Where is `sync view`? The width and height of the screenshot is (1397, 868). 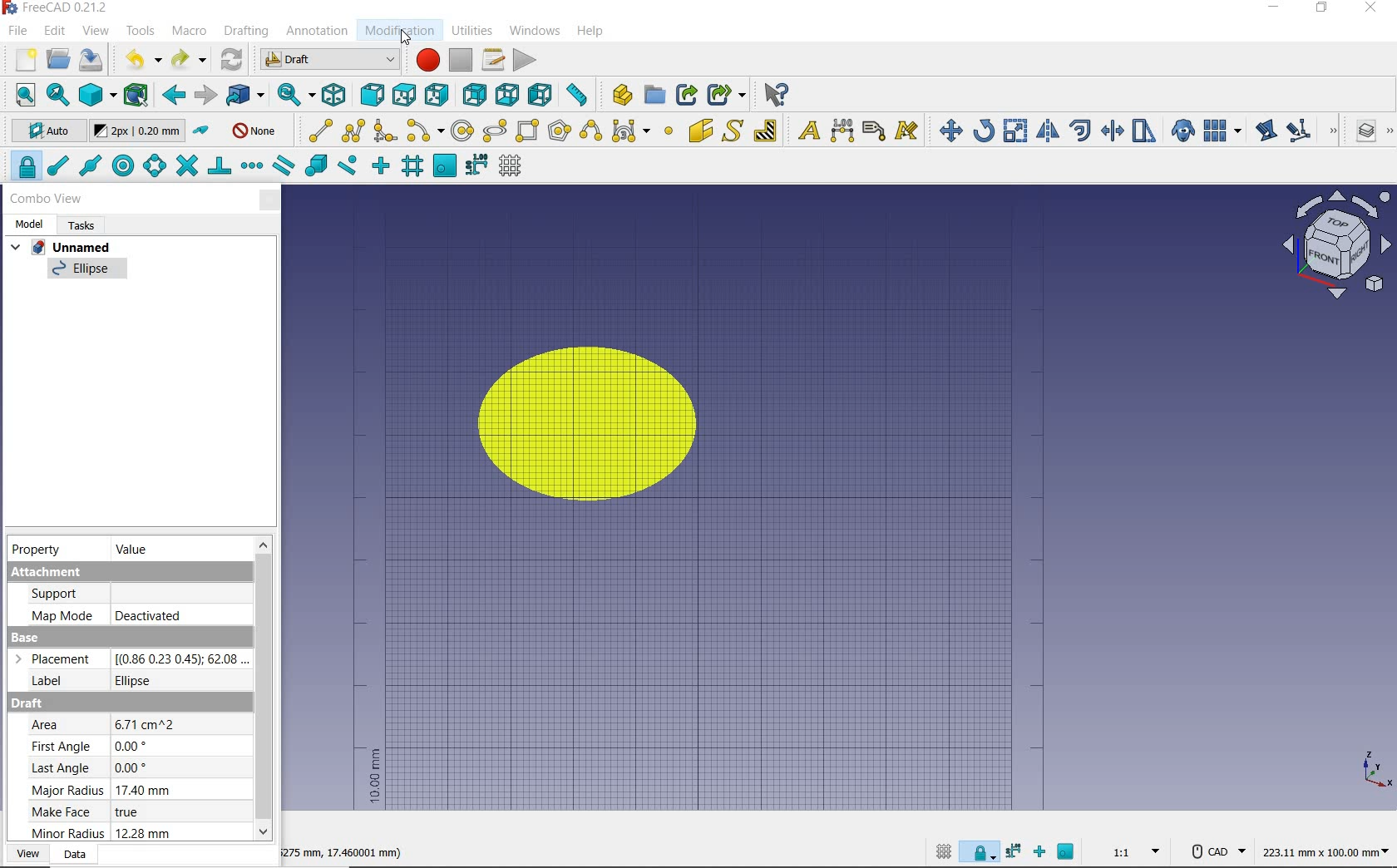
sync view is located at coordinates (294, 94).